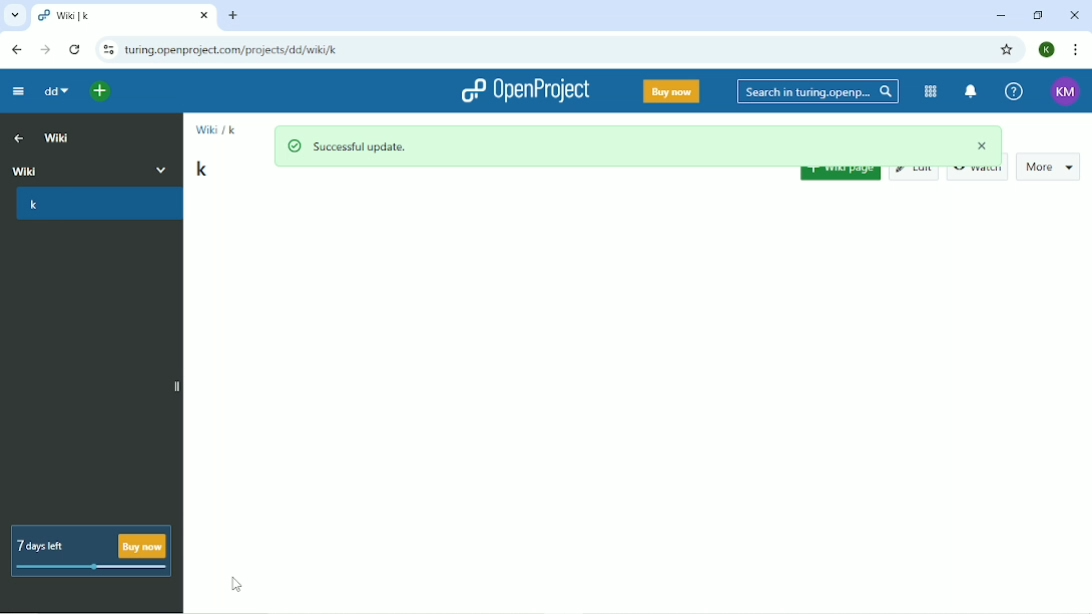 The width and height of the screenshot is (1092, 614). I want to click on k, so click(231, 130).